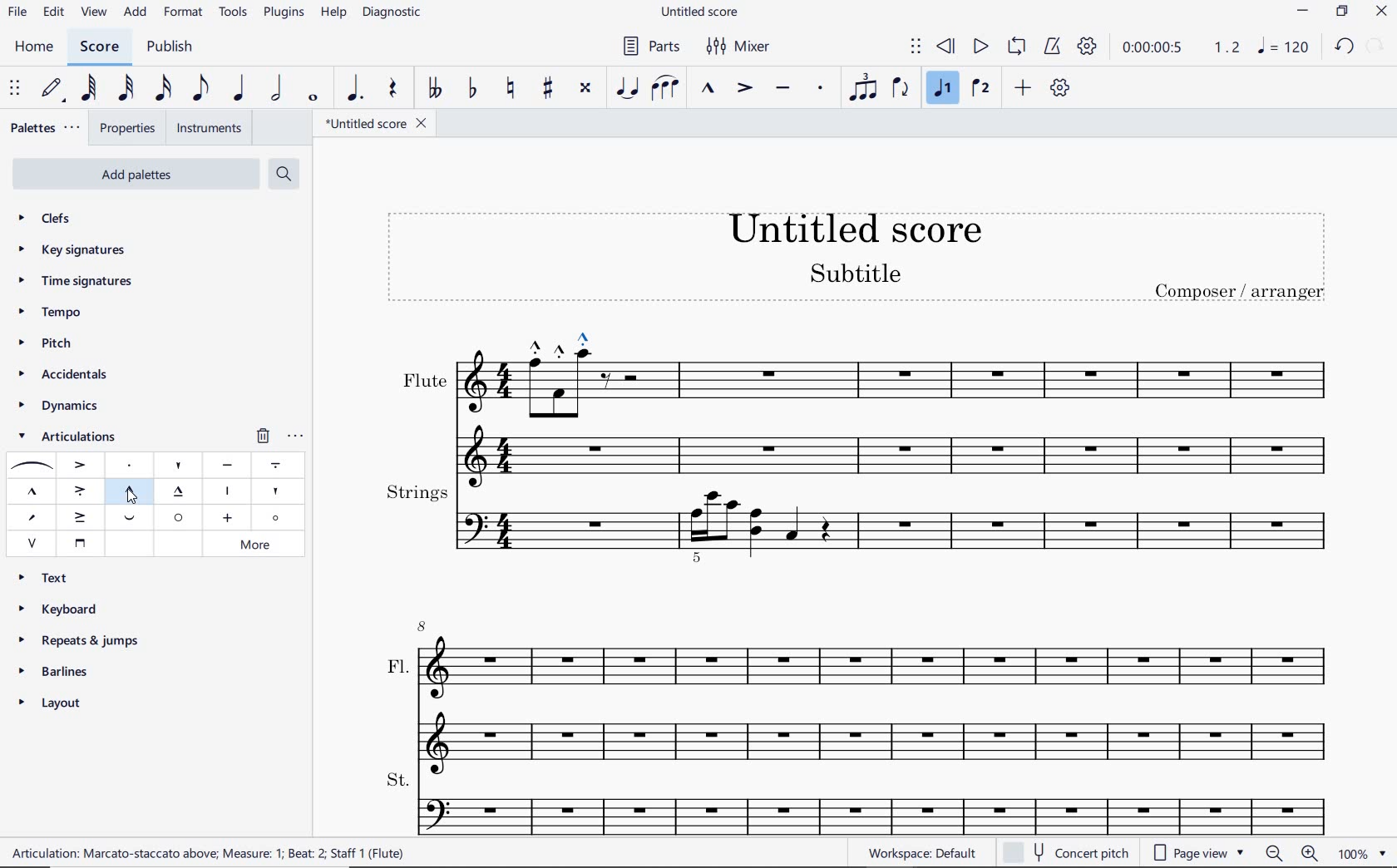 Image resolution: width=1397 pixels, height=868 pixels. I want to click on MARCATO-TENUTO ABOVE, so click(180, 492).